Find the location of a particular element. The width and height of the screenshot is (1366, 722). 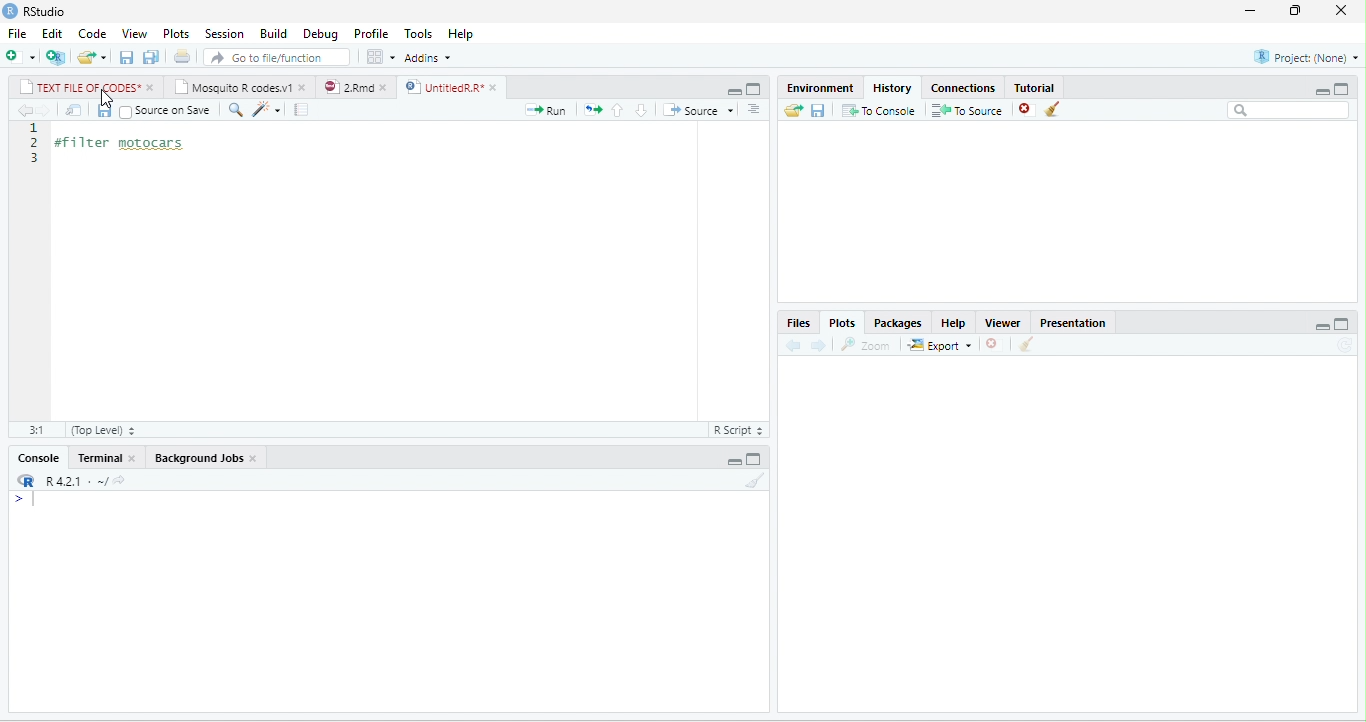

close is located at coordinates (385, 88).